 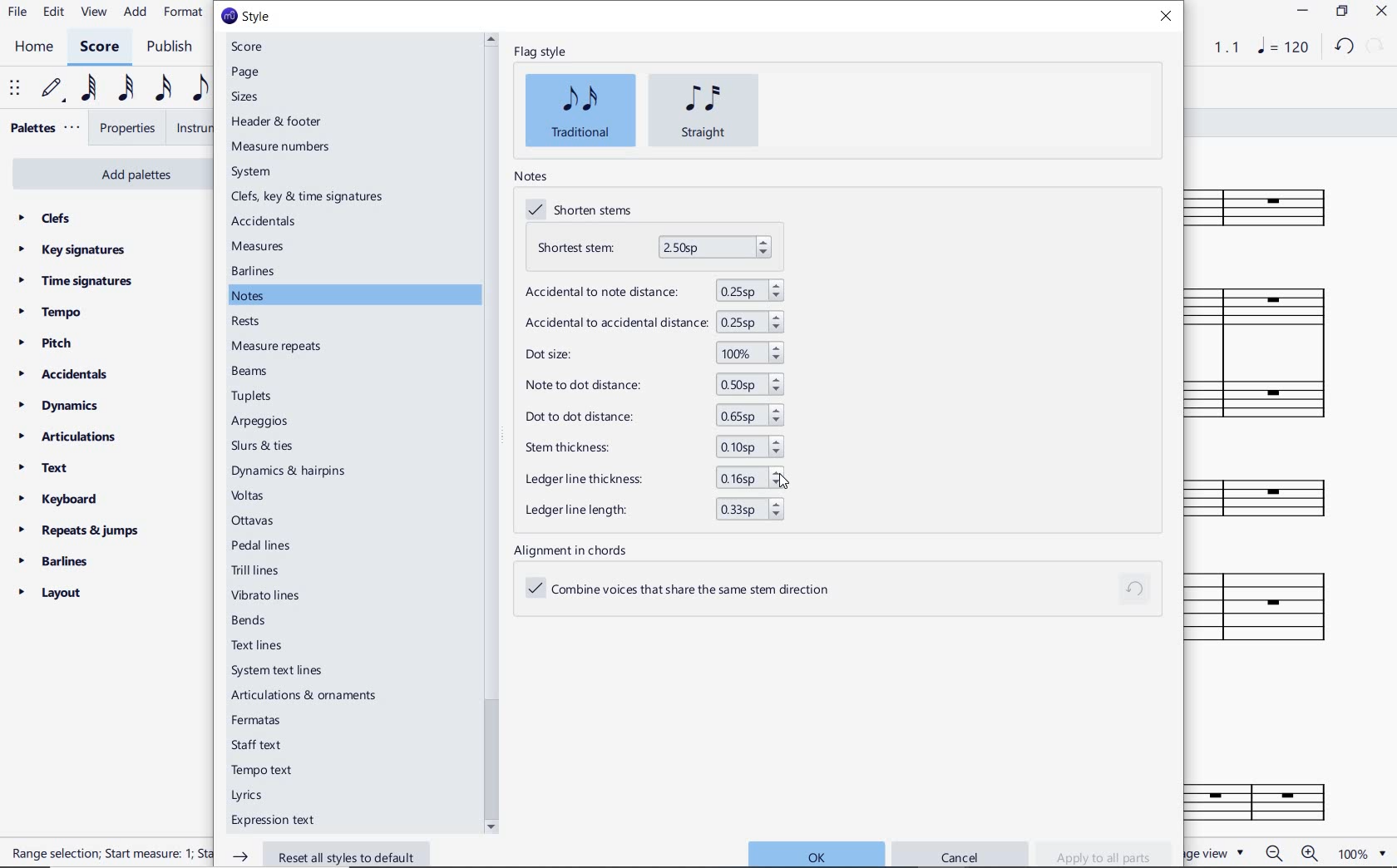 I want to click on time signatures, so click(x=77, y=284).